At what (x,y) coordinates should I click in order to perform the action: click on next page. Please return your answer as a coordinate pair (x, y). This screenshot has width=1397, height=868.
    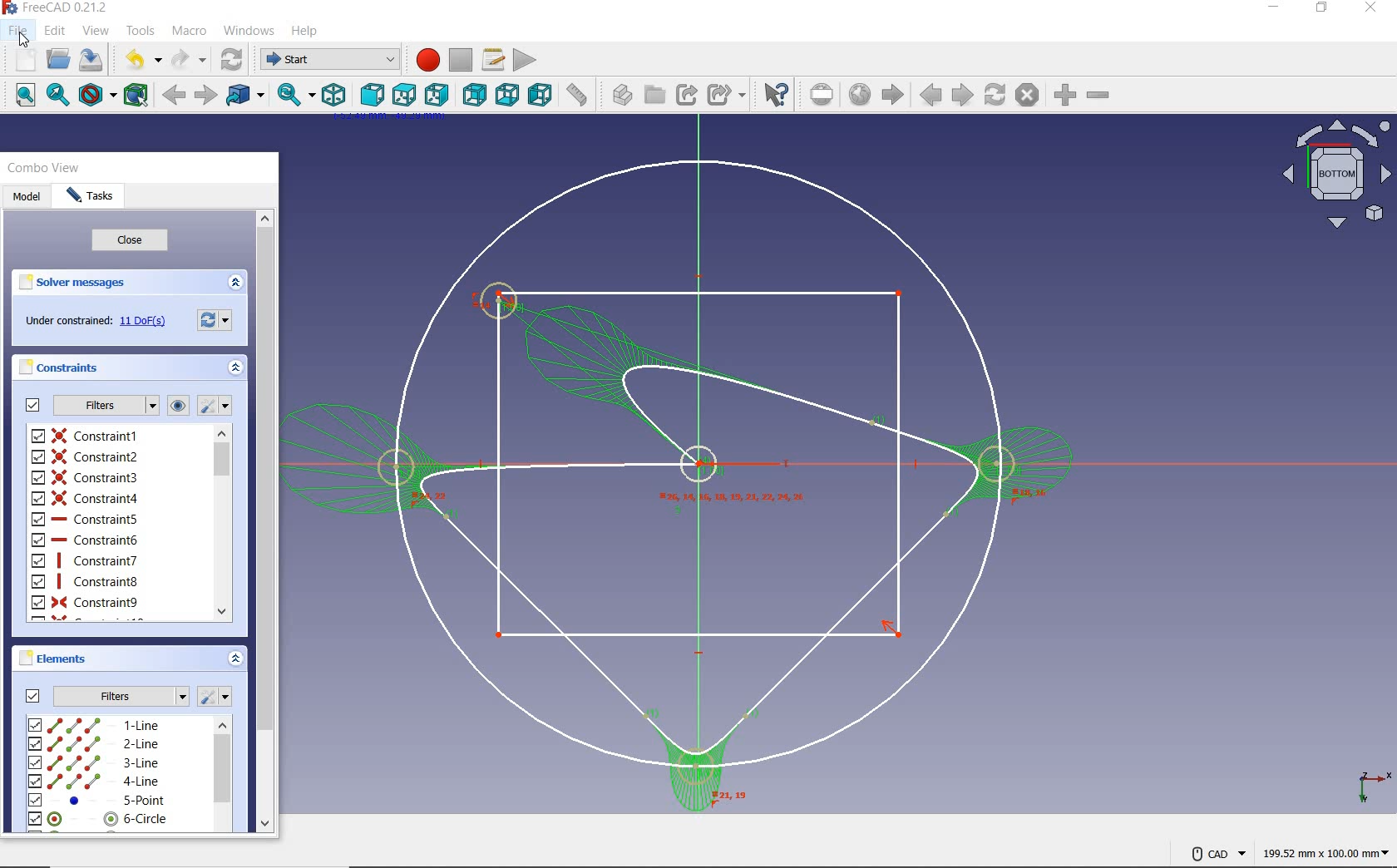
    Looking at the image, I should click on (961, 95).